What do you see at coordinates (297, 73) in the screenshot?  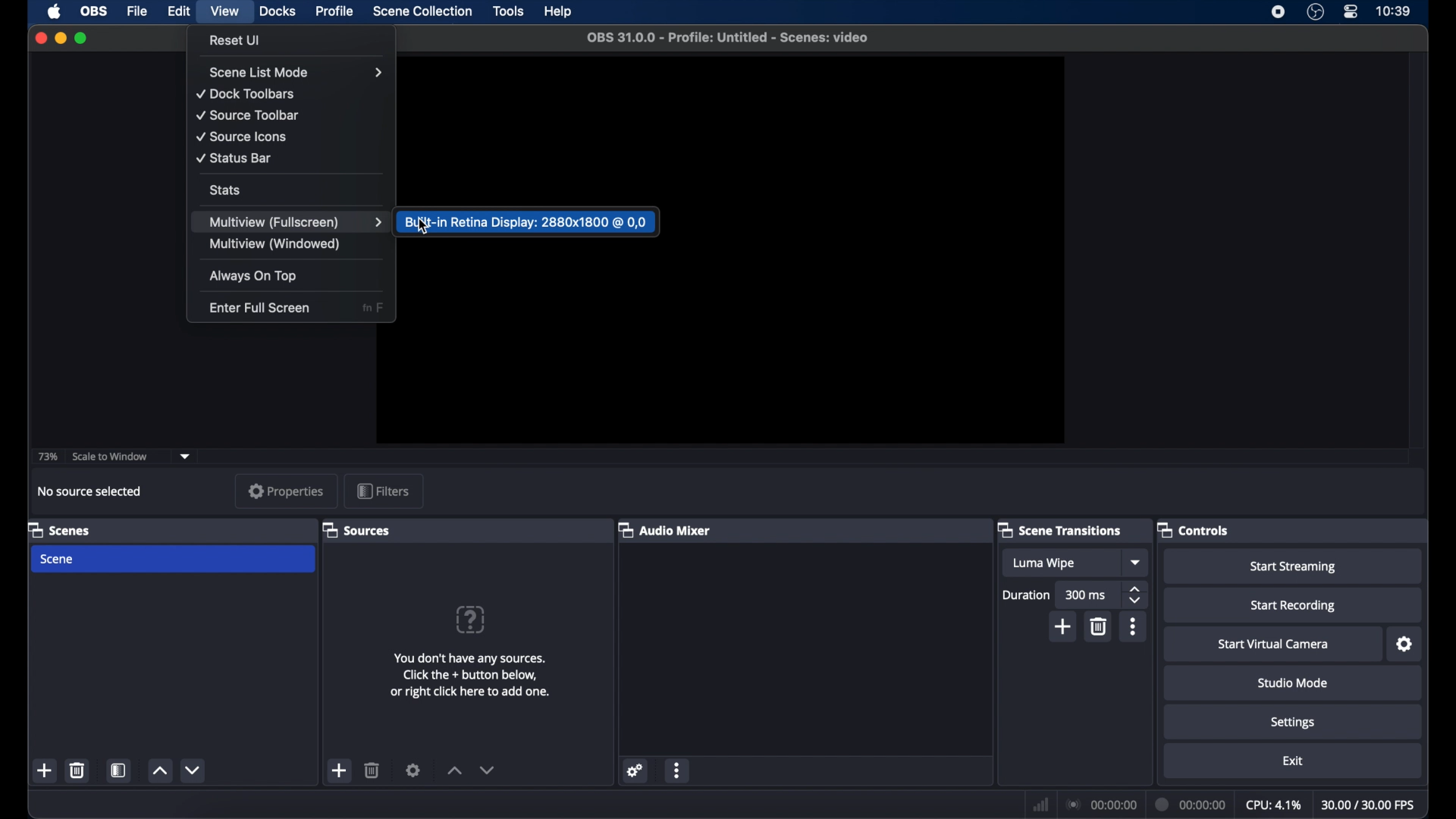 I see `scene list mode` at bounding box center [297, 73].